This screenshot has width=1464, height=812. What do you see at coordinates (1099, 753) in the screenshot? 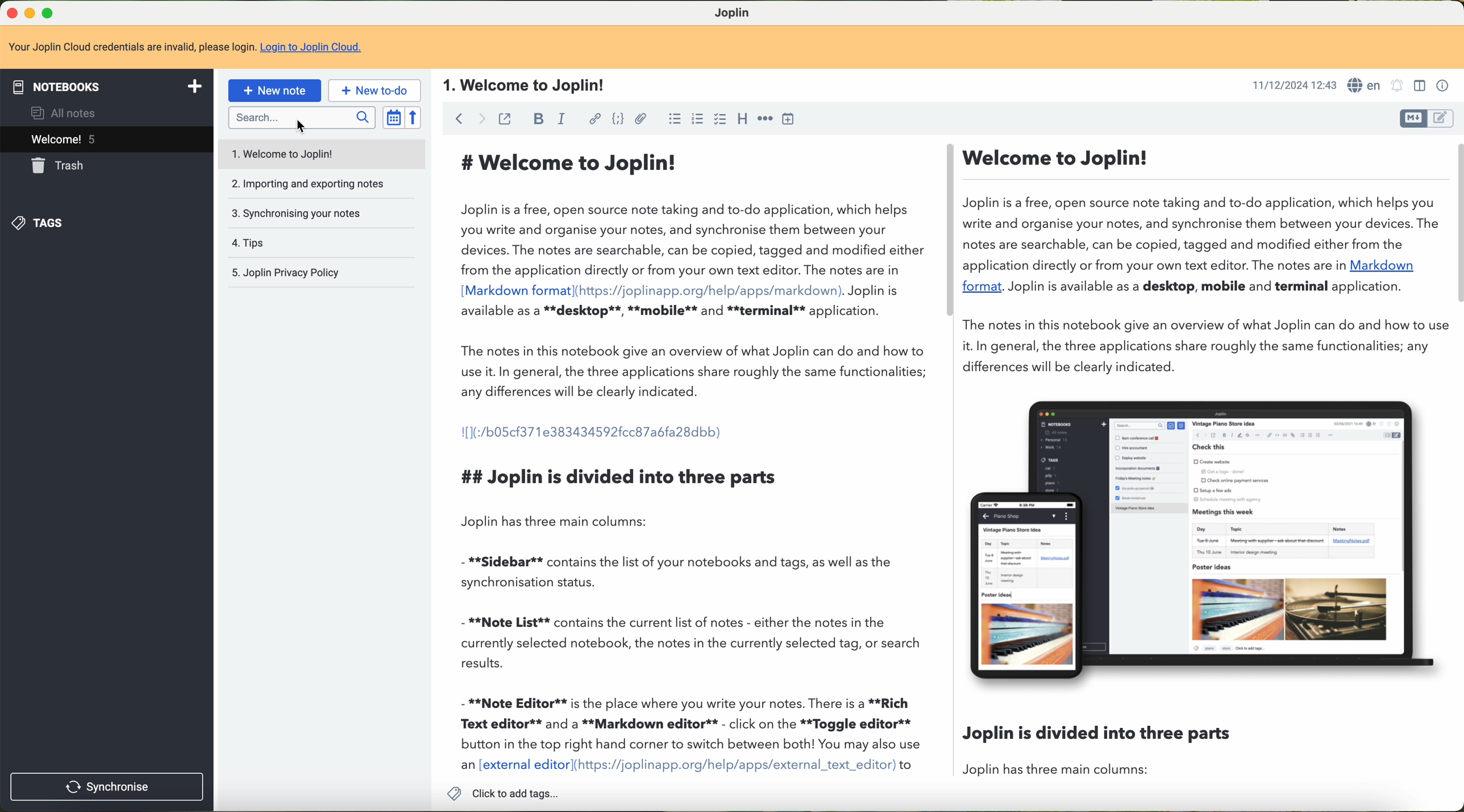
I see `Joplin is divided into three parts Joplin has three main columns:` at bounding box center [1099, 753].